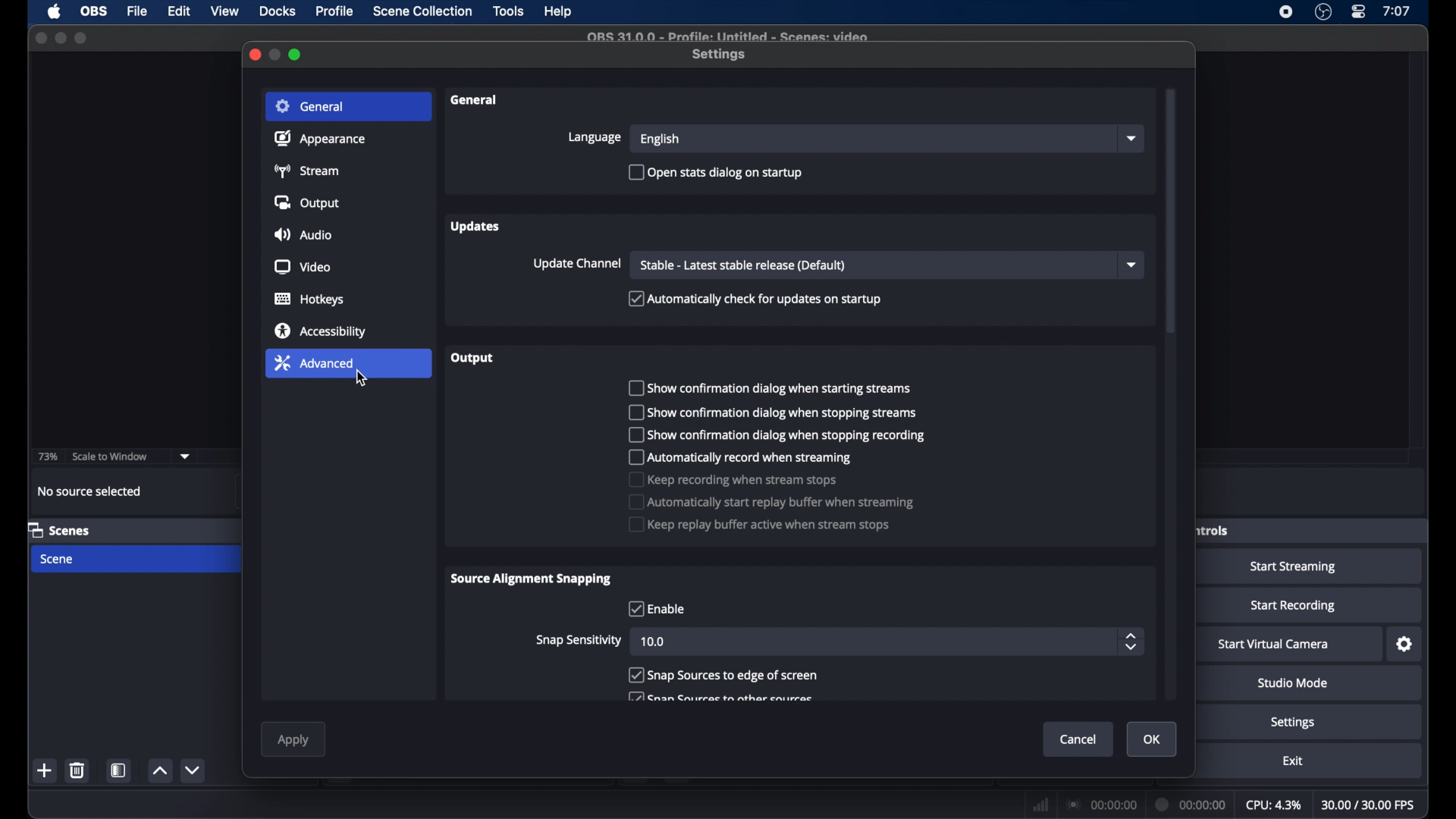  I want to click on delete, so click(77, 770).